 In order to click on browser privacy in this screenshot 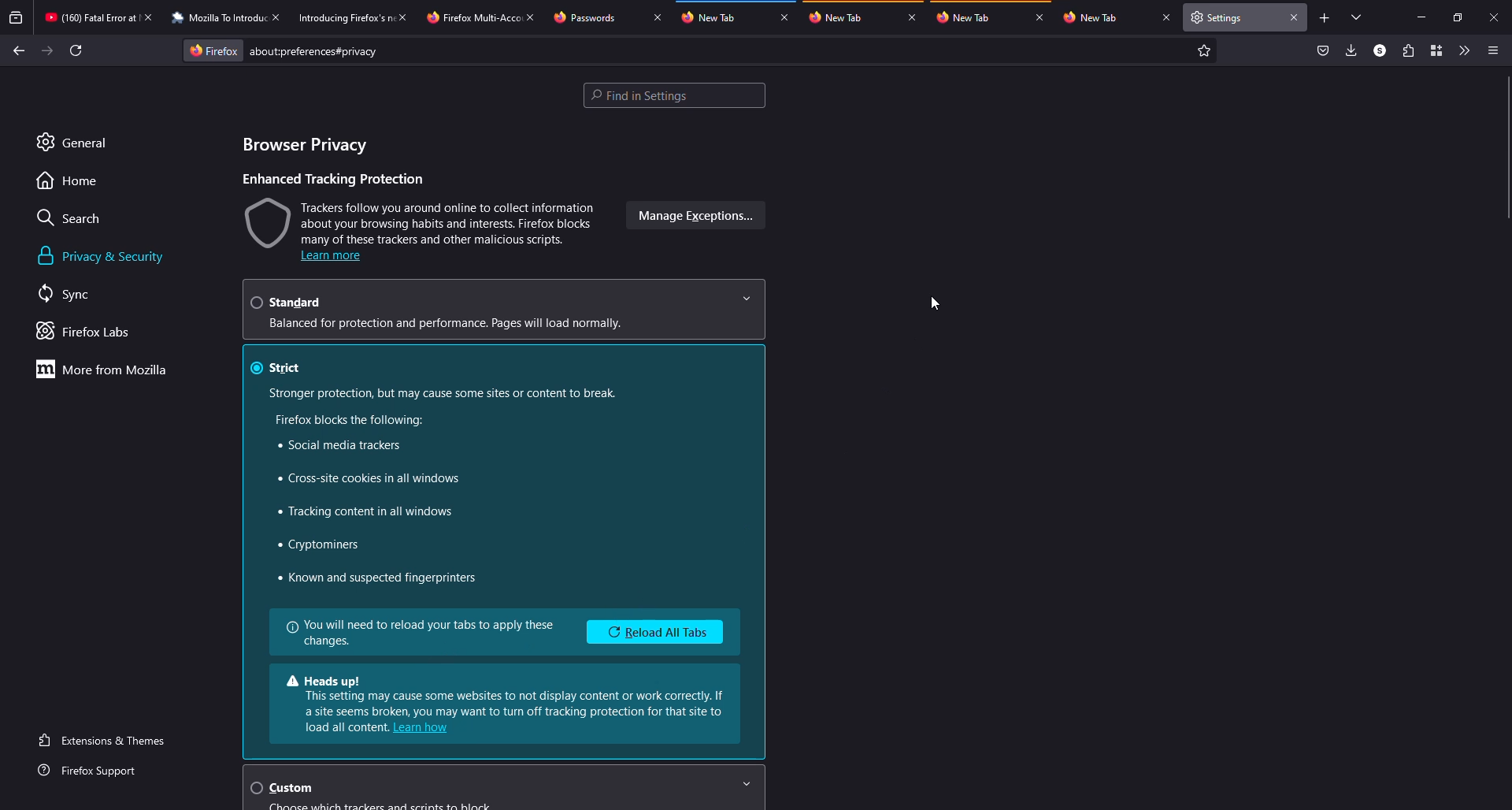, I will do `click(303, 145)`.